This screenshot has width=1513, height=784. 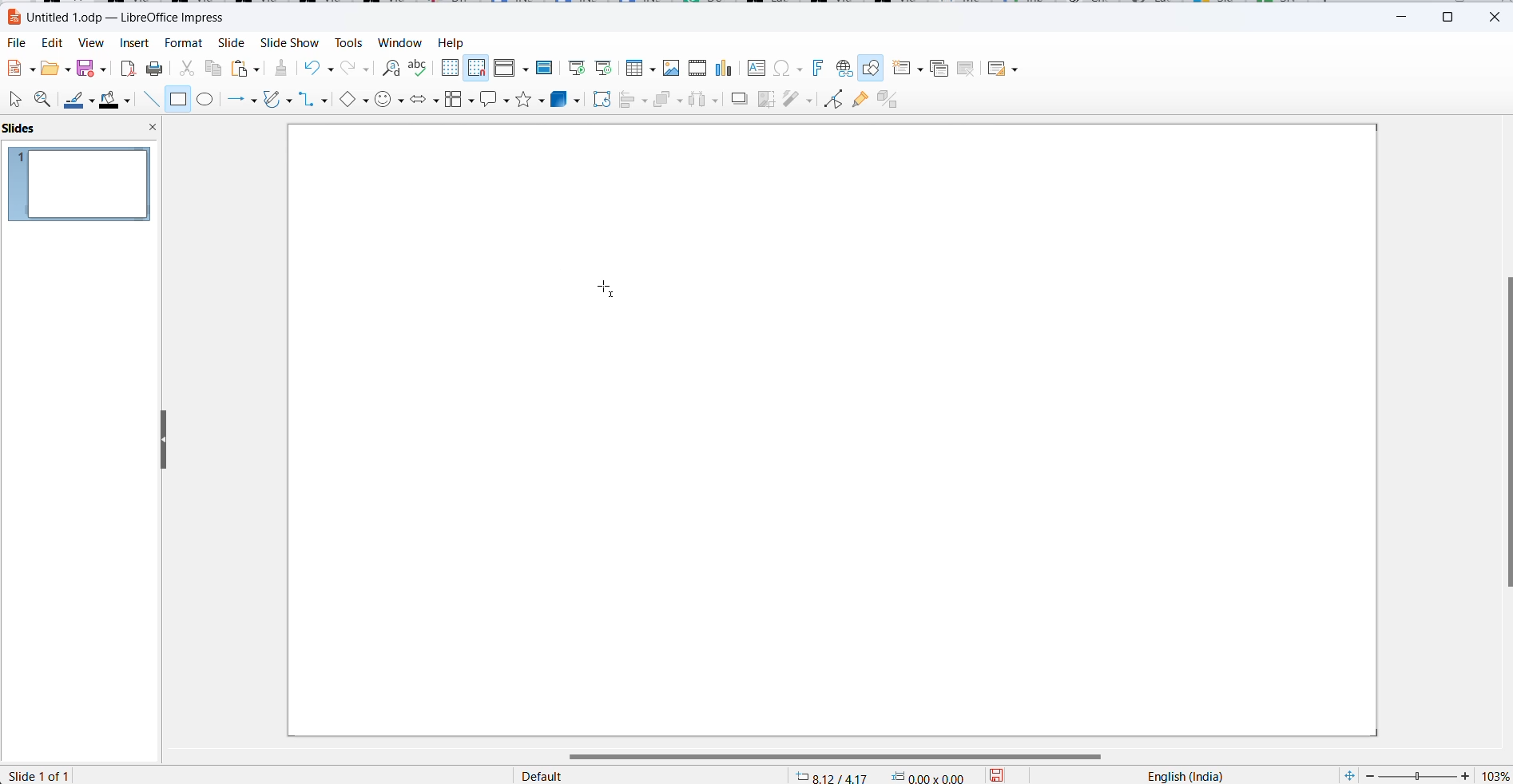 What do you see at coordinates (673, 68) in the screenshot?
I see `Insert image` at bounding box center [673, 68].